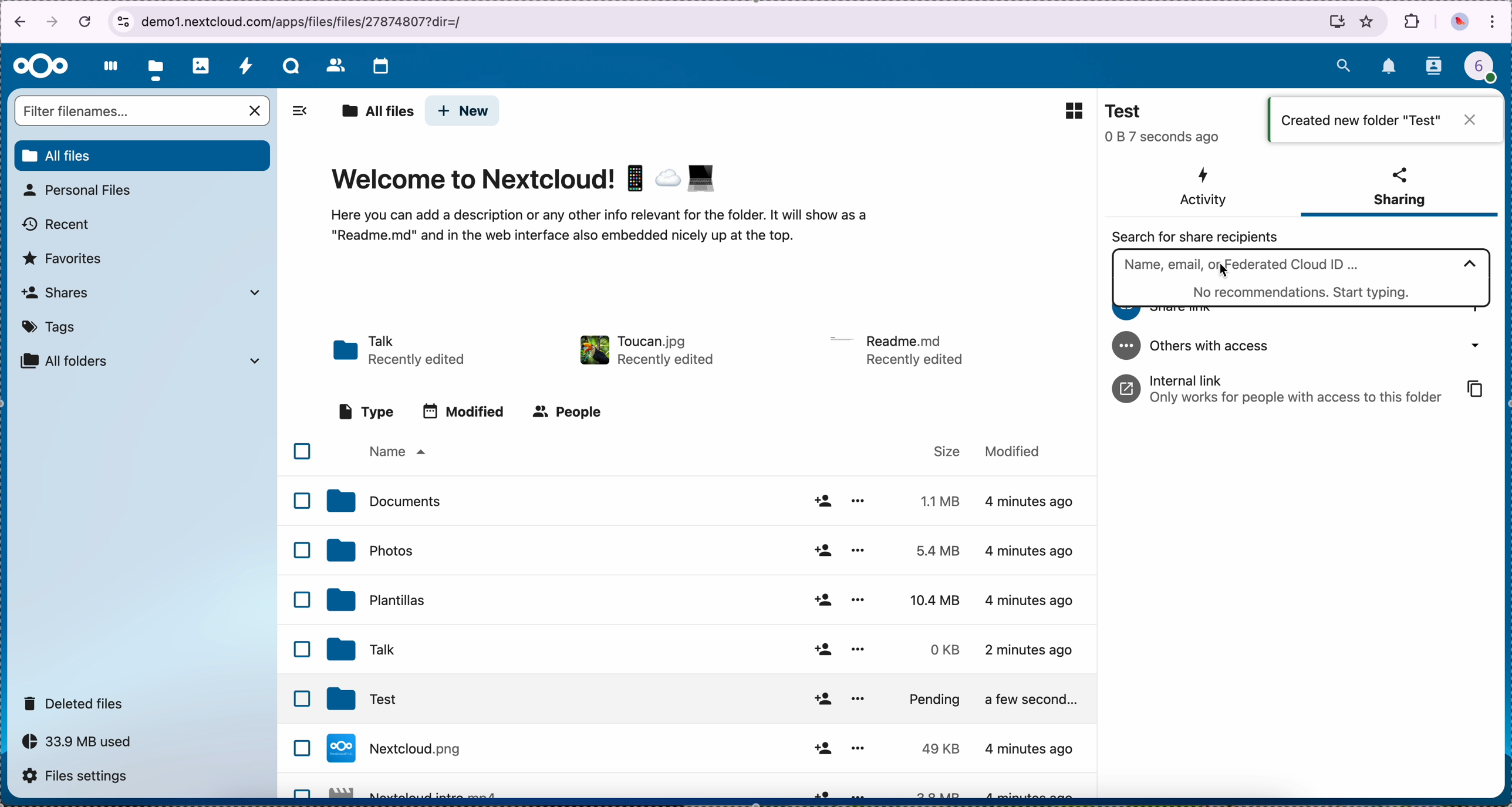  What do you see at coordinates (291, 66) in the screenshot?
I see `talk` at bounding box center [291, 66].